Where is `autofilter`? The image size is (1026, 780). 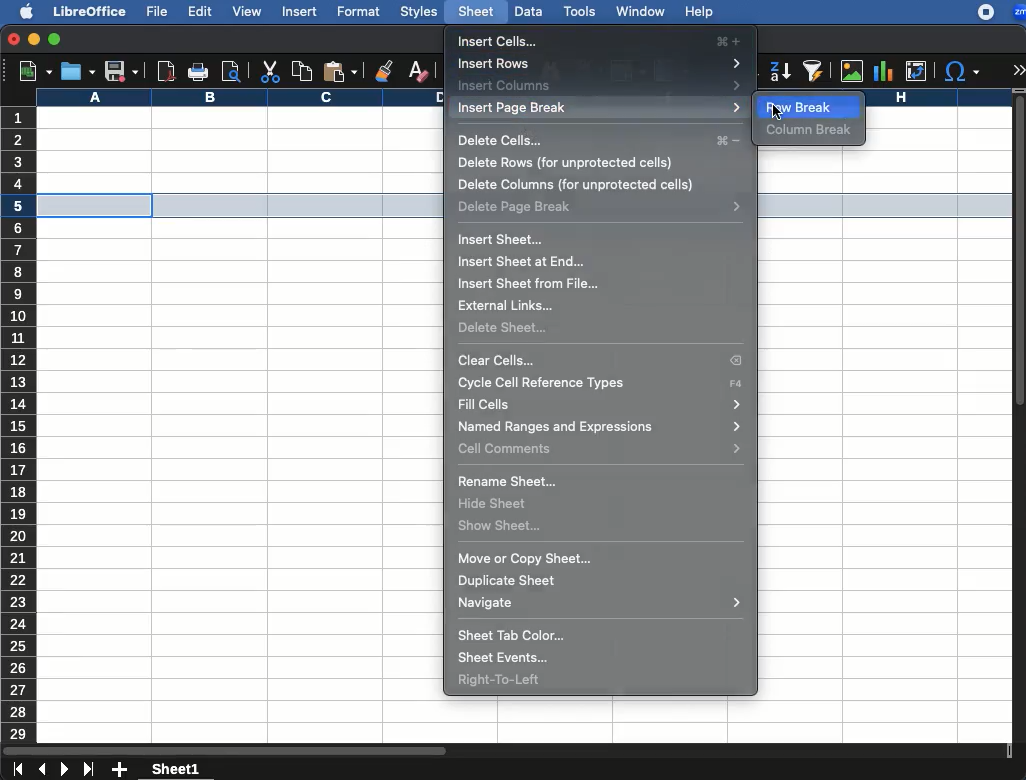
autofilter is located at coordinates (816, 72).